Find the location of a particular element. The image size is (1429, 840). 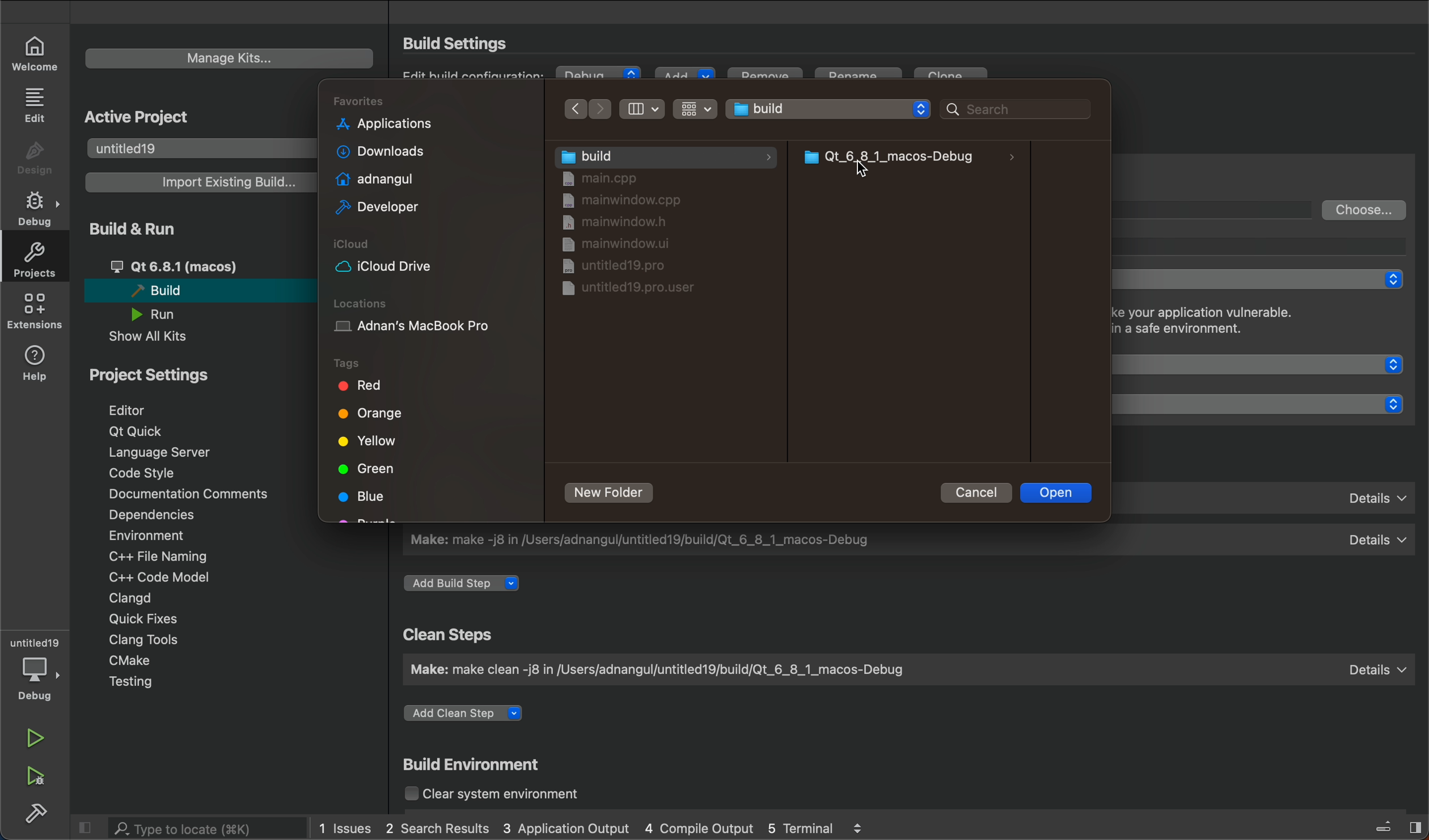

untitled is located at coordinates (35, 642).